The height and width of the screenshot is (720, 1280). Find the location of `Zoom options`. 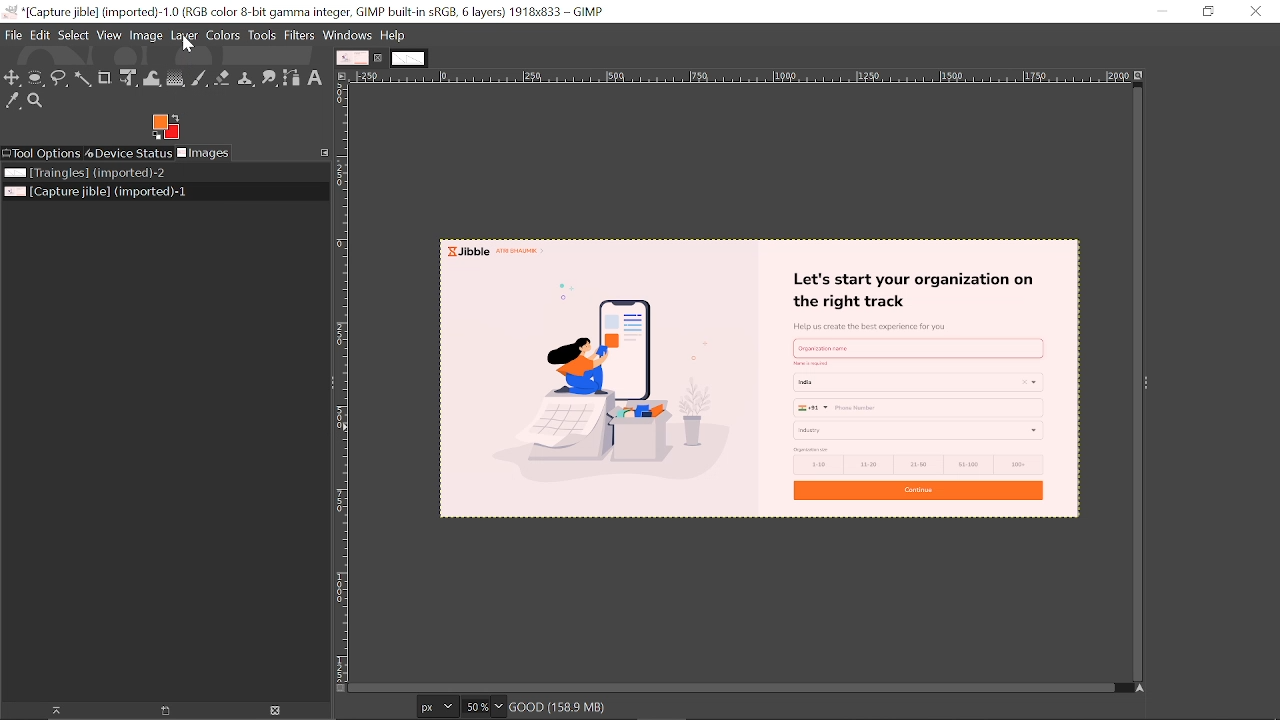

Zoom options is located at coordinates (501, 706).